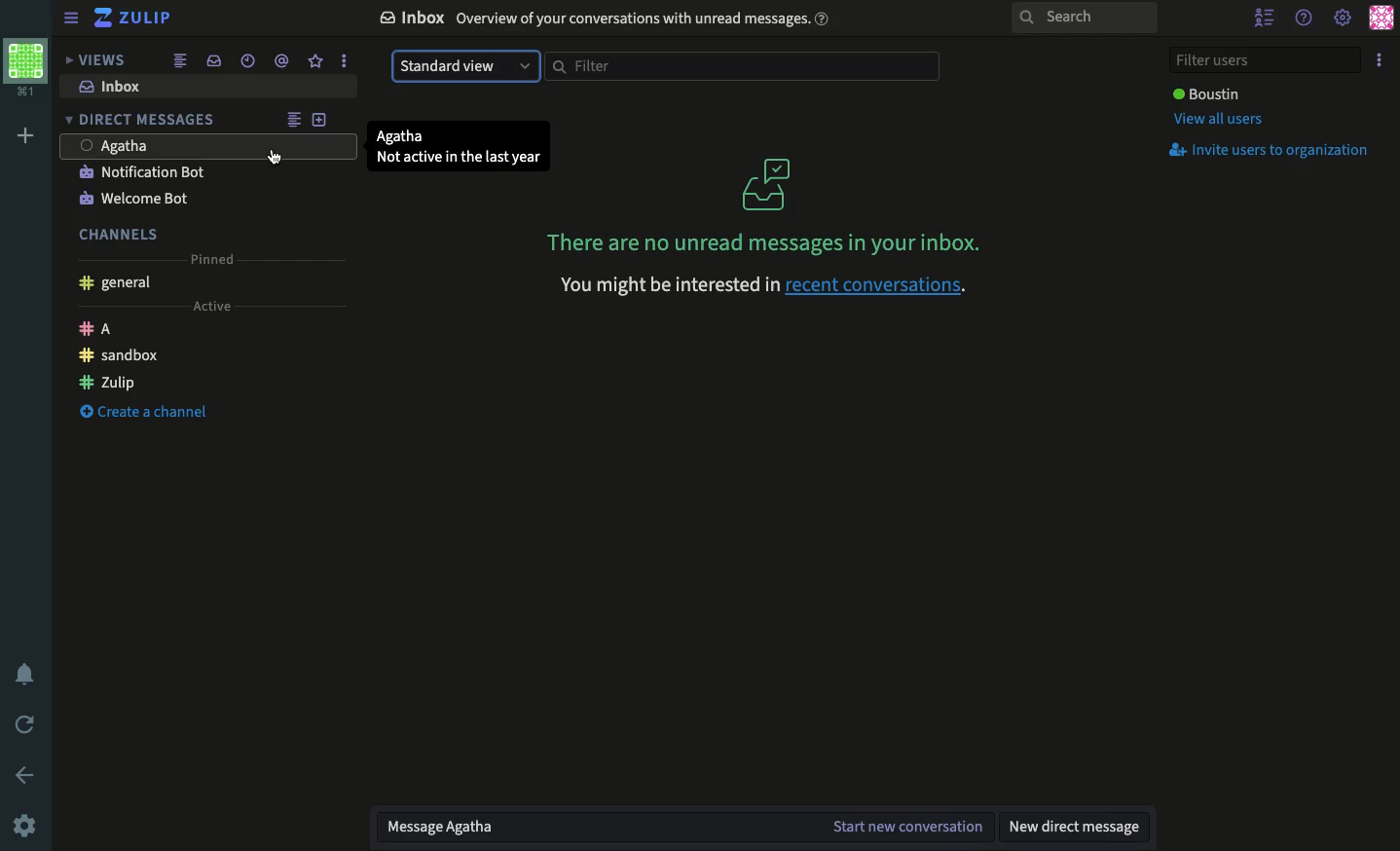  Describe the element at coordinates (24, 723) in the screenshot. I see `Refresh` at that location.